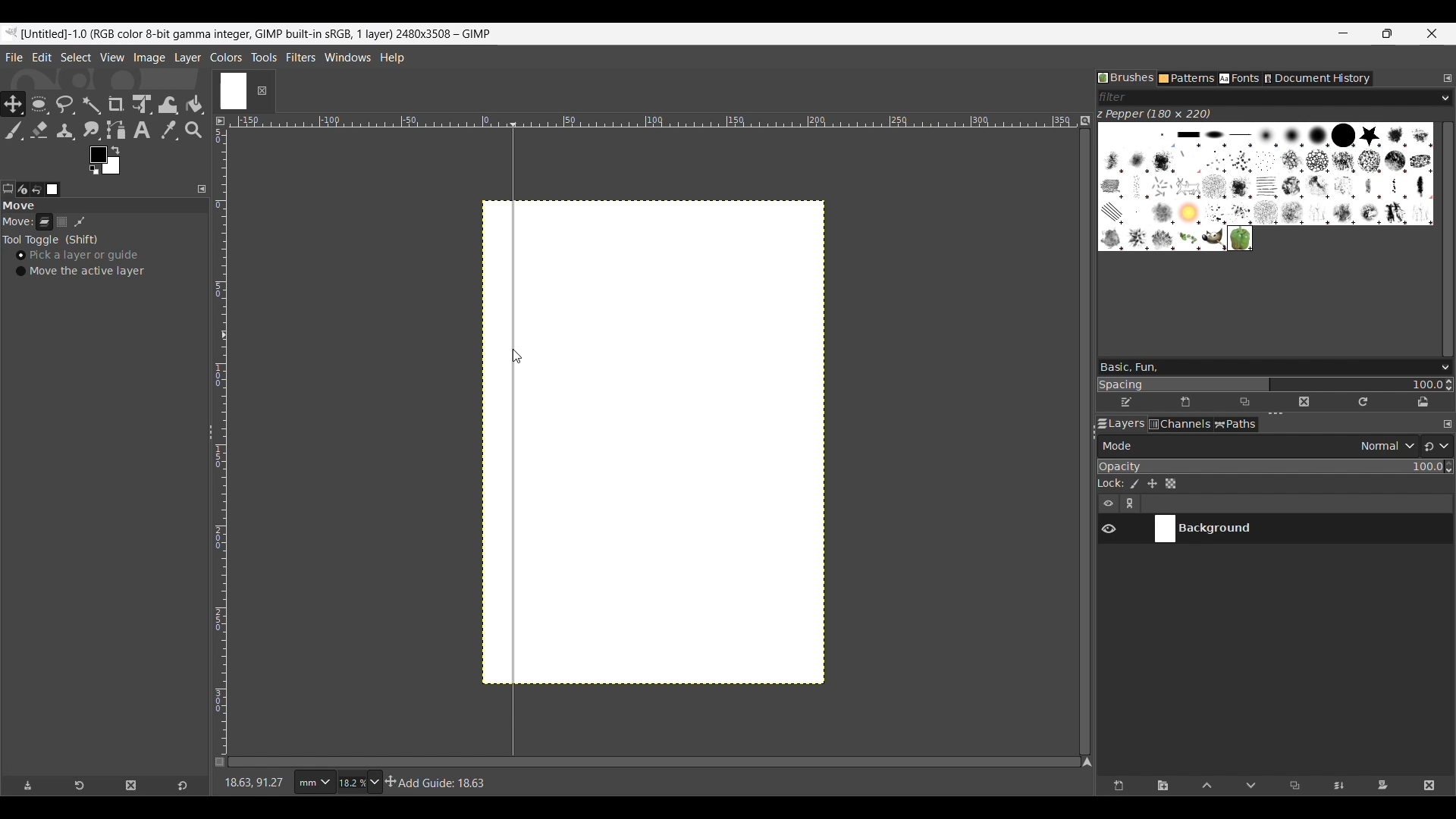 The height and width of the screenshot is (819, 1456). I want to click on Toggle quick mask on/off, so click(221, 763).